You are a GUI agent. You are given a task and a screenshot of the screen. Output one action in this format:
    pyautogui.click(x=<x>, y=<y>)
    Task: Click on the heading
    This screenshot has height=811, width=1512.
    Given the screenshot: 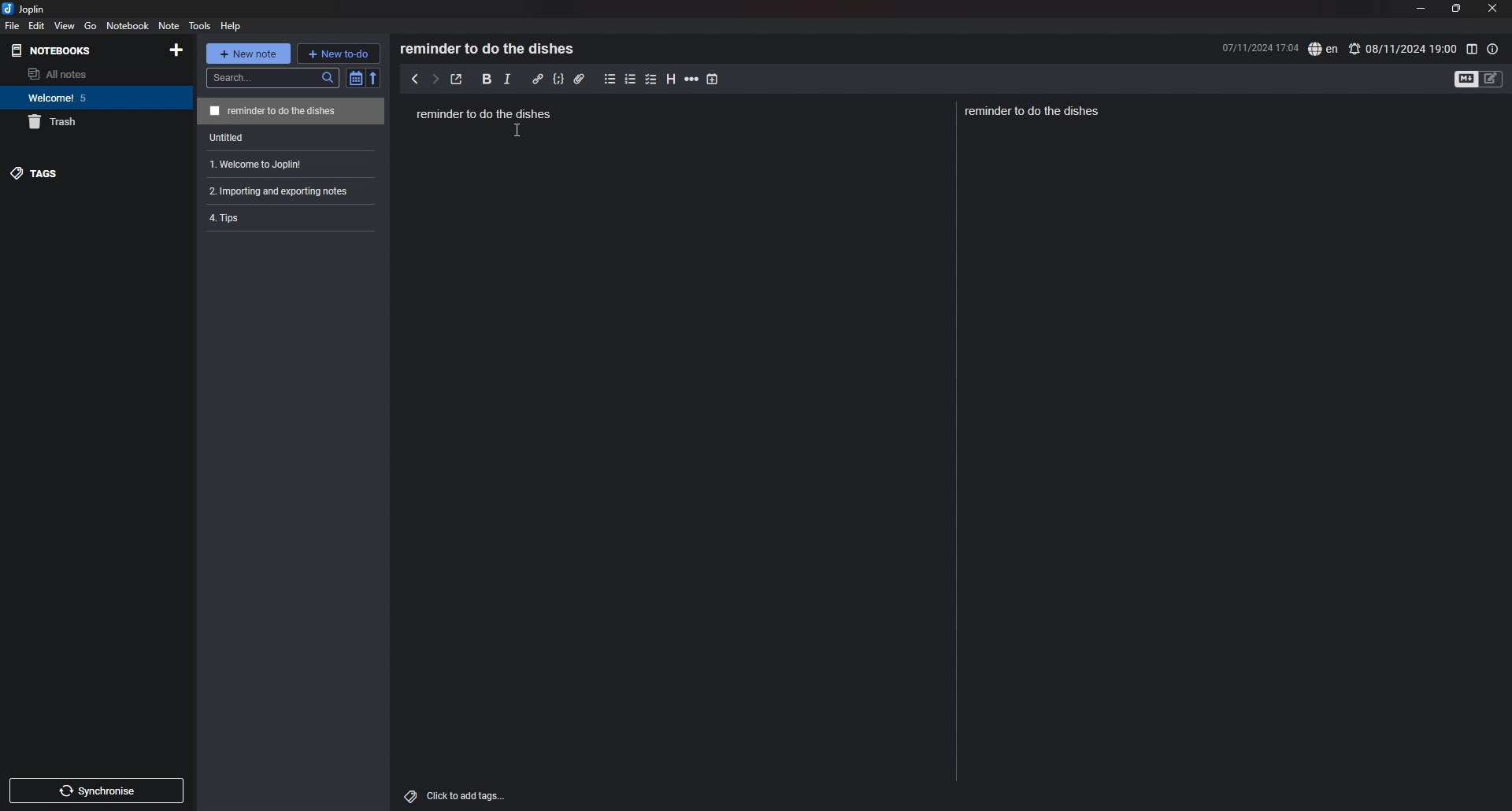 What is the action you would take?
    pyautogui.click(x=671, y=80)
    